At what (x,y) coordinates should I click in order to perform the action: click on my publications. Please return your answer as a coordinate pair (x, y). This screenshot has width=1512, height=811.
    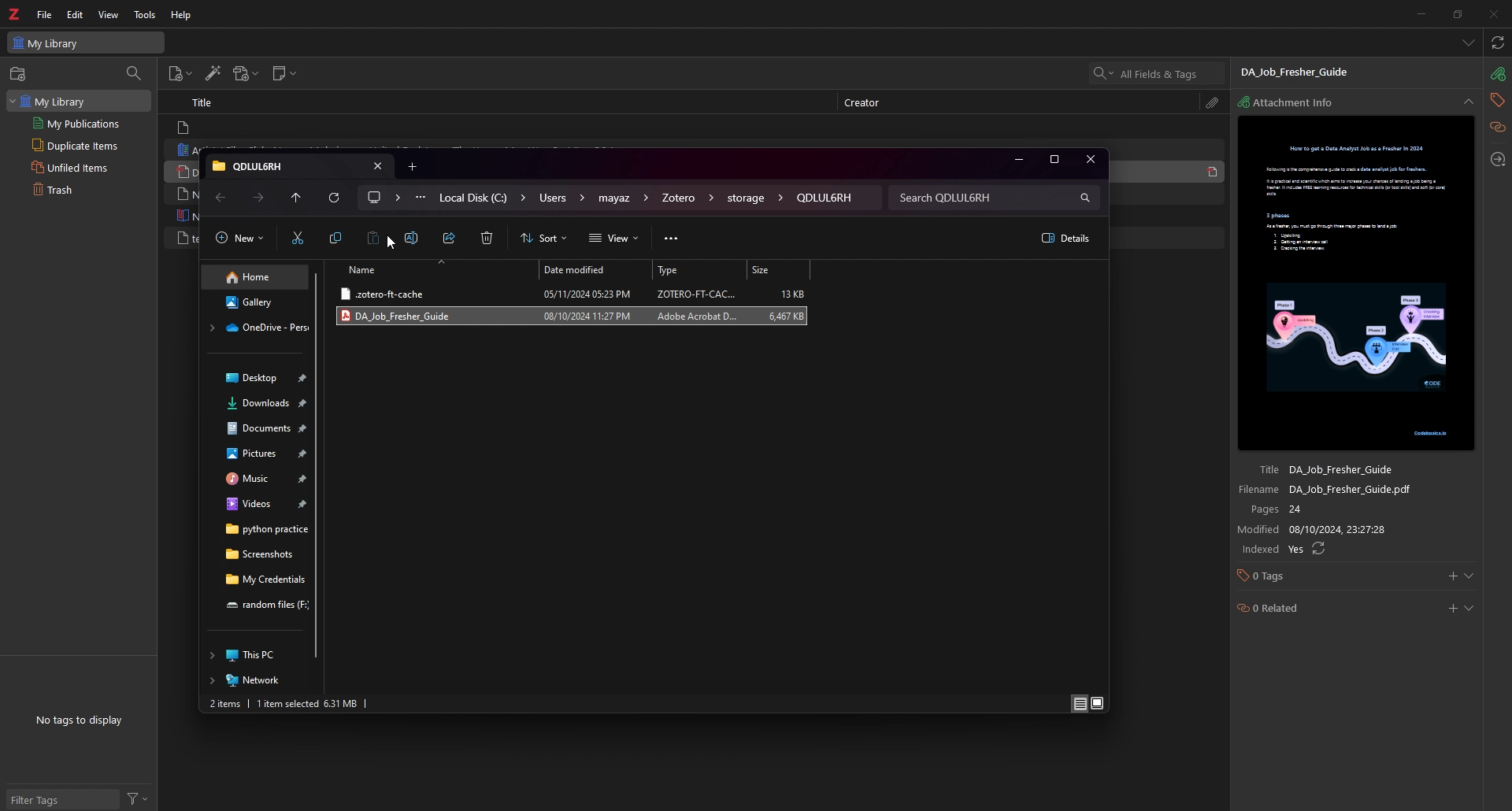
    Looking at the image, I should click on (80, 123).